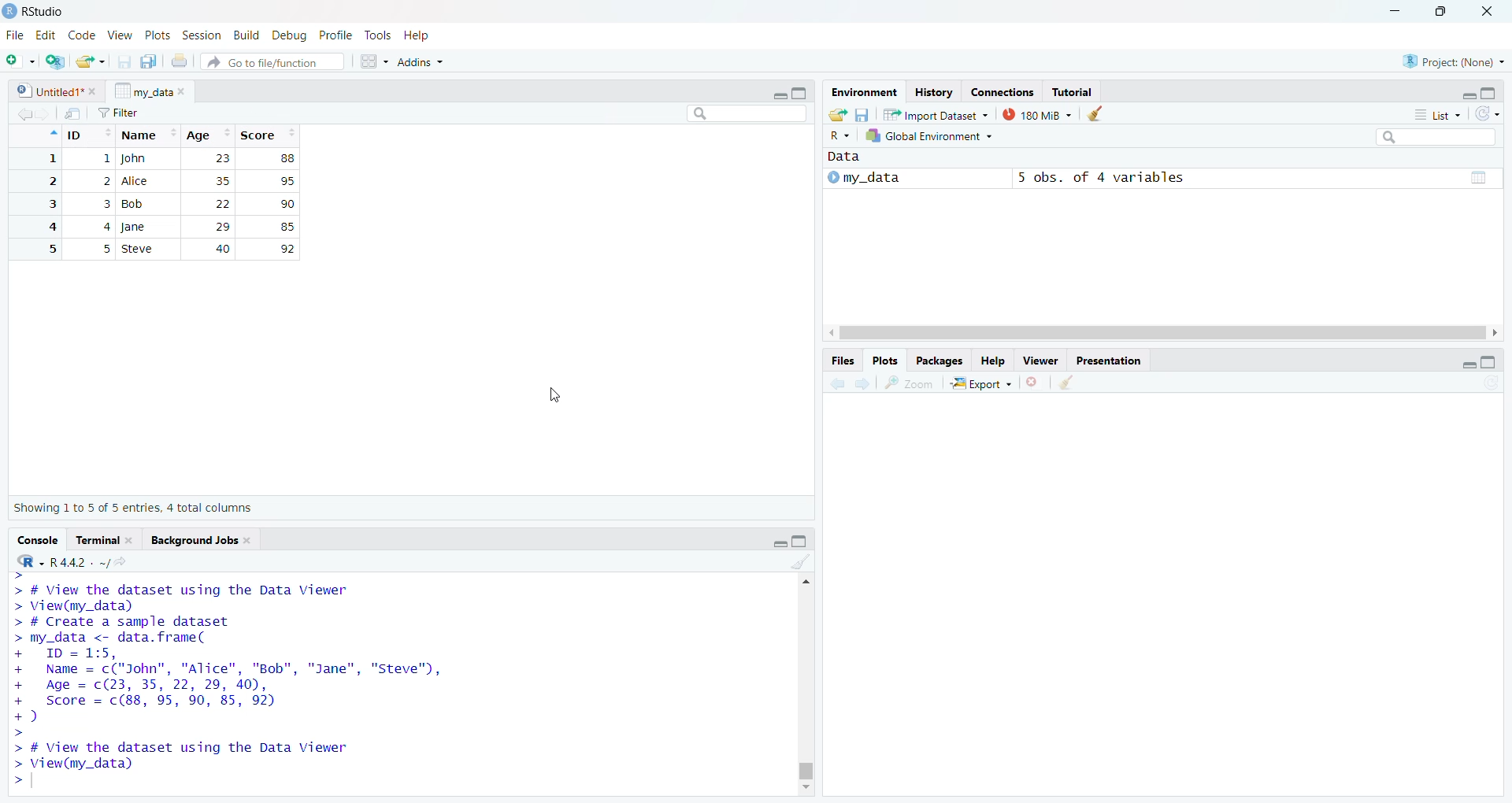 The height and width of the screenshot is (803, 1512). What do you see at coordinates (932, 136) in the screenshot?
I see `Global Environment` at bounding box center [932, 136].